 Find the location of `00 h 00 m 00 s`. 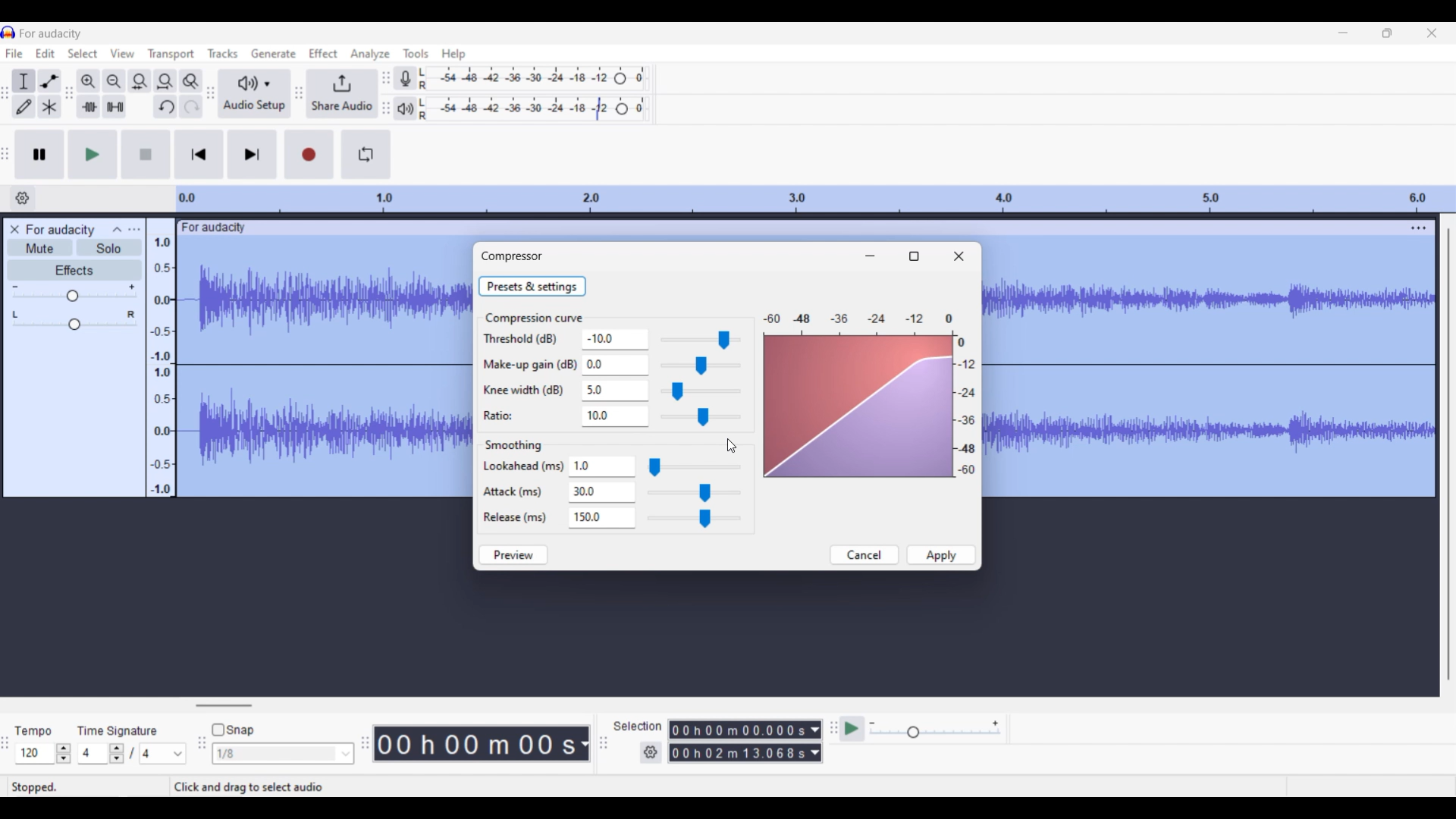

00 h 00 m 00 s is located at coordinates (475, 743).